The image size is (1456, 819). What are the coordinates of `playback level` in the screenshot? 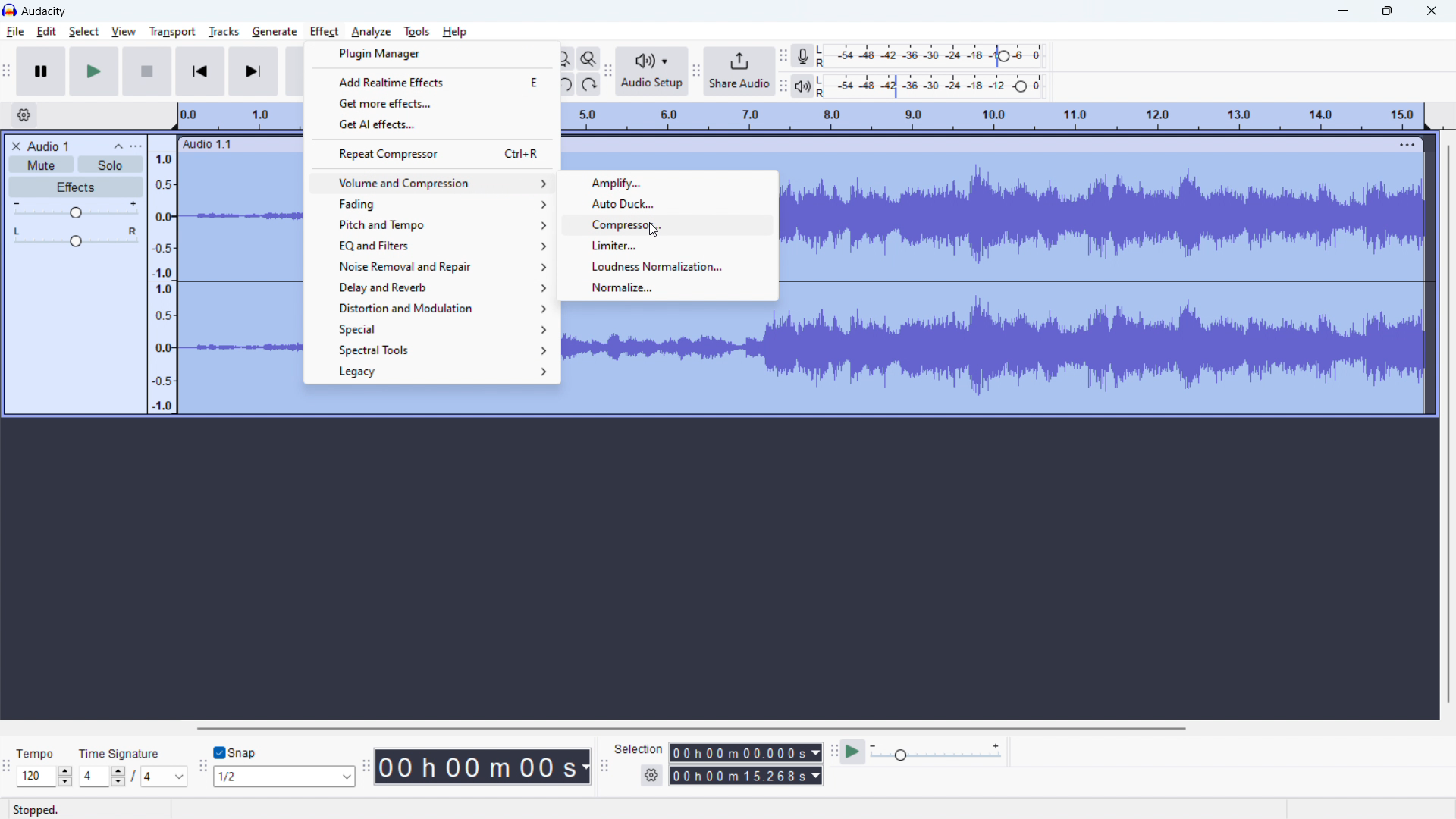 It's located at (940, 87).